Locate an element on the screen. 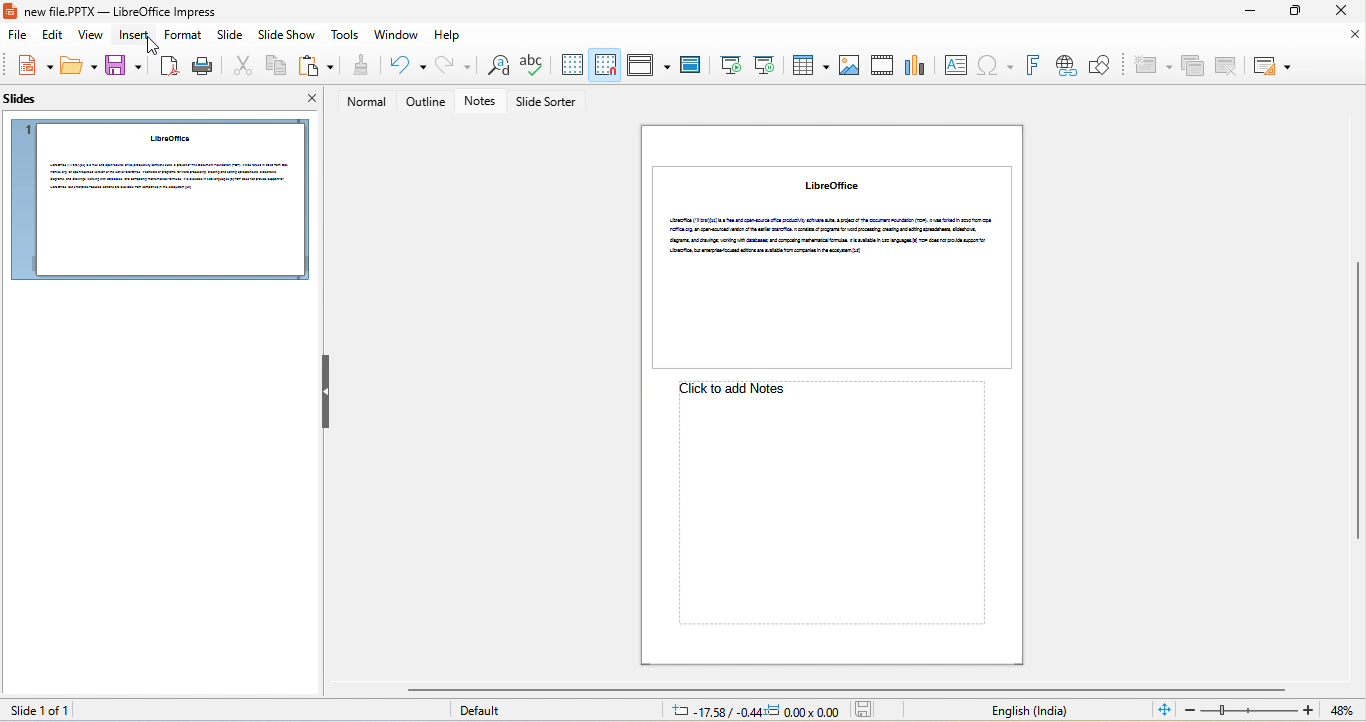  click here to add note is located at coordinates (827, 505).